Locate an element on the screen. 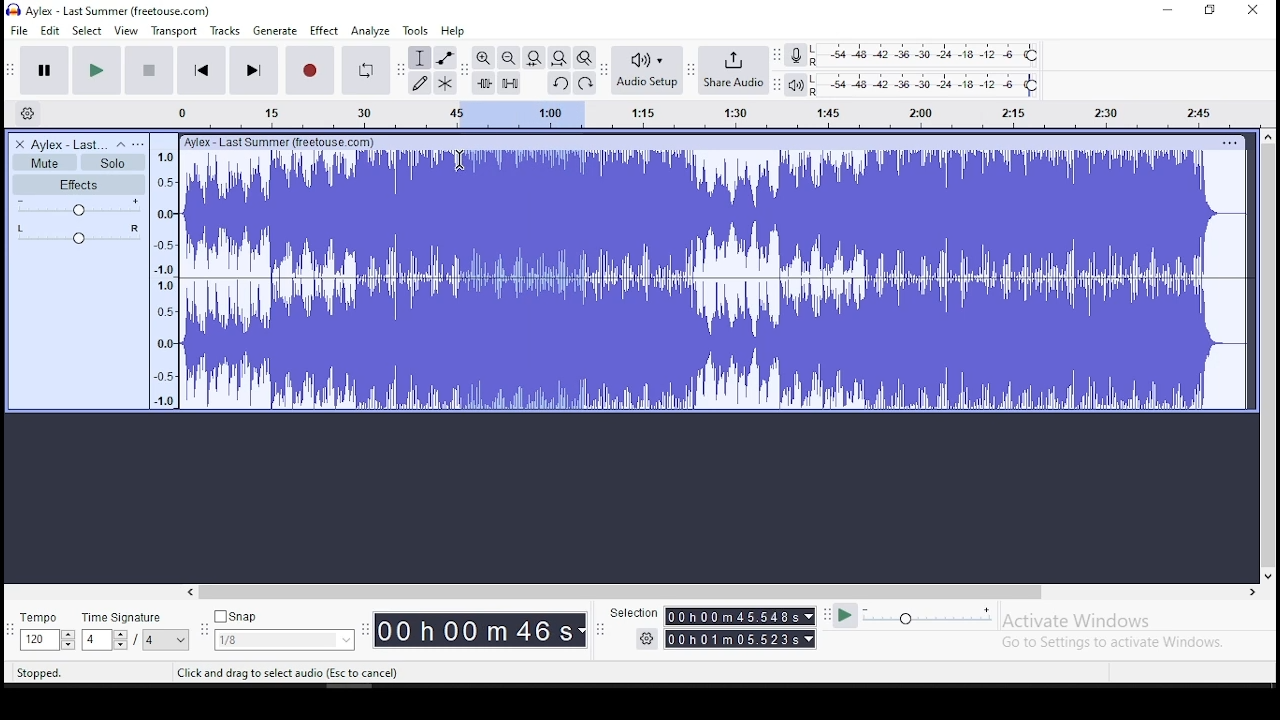 The height and width of the screenshot is (720, 1280). mute is located at coordinates (45, 162).